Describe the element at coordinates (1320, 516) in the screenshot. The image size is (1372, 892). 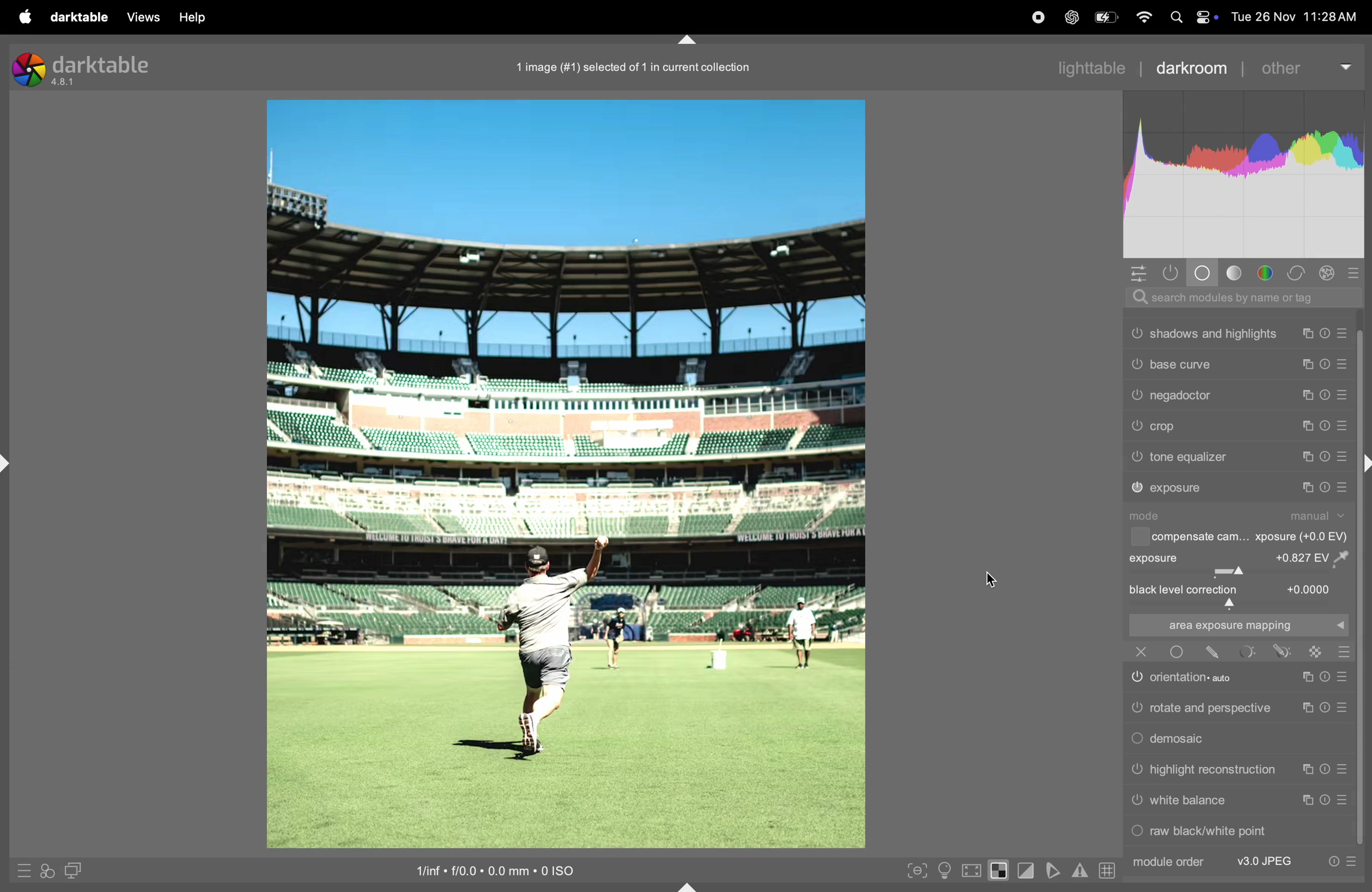
I see `manual` at that location.